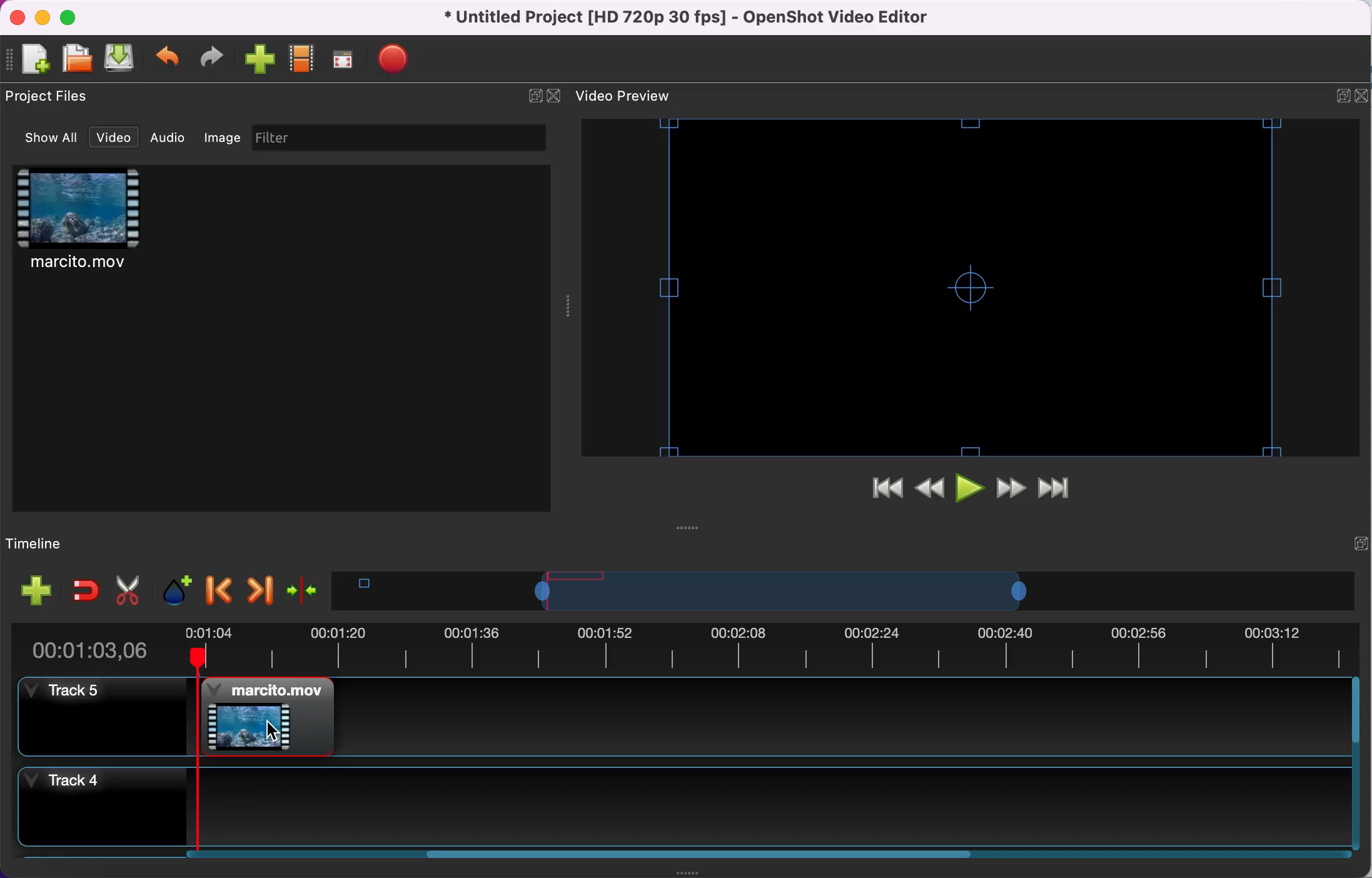  Describe the element at coordinates (929, 492) in the screenshot. I see `rewind` at that location.